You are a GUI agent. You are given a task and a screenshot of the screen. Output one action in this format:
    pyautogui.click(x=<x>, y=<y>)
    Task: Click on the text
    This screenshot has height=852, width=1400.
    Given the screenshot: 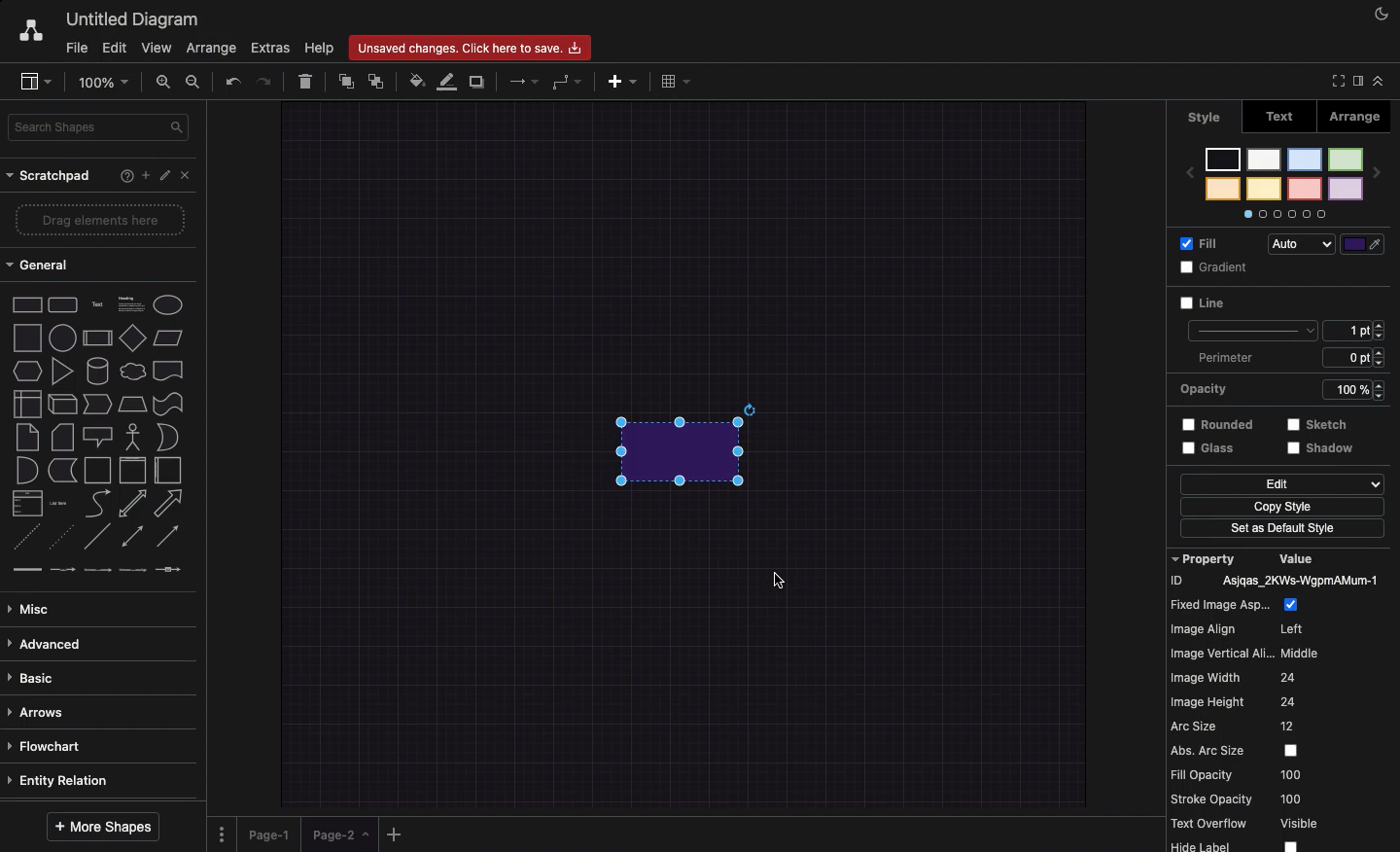 What is the action you would take?
    pyautogui.click(x=96, y=303)
    